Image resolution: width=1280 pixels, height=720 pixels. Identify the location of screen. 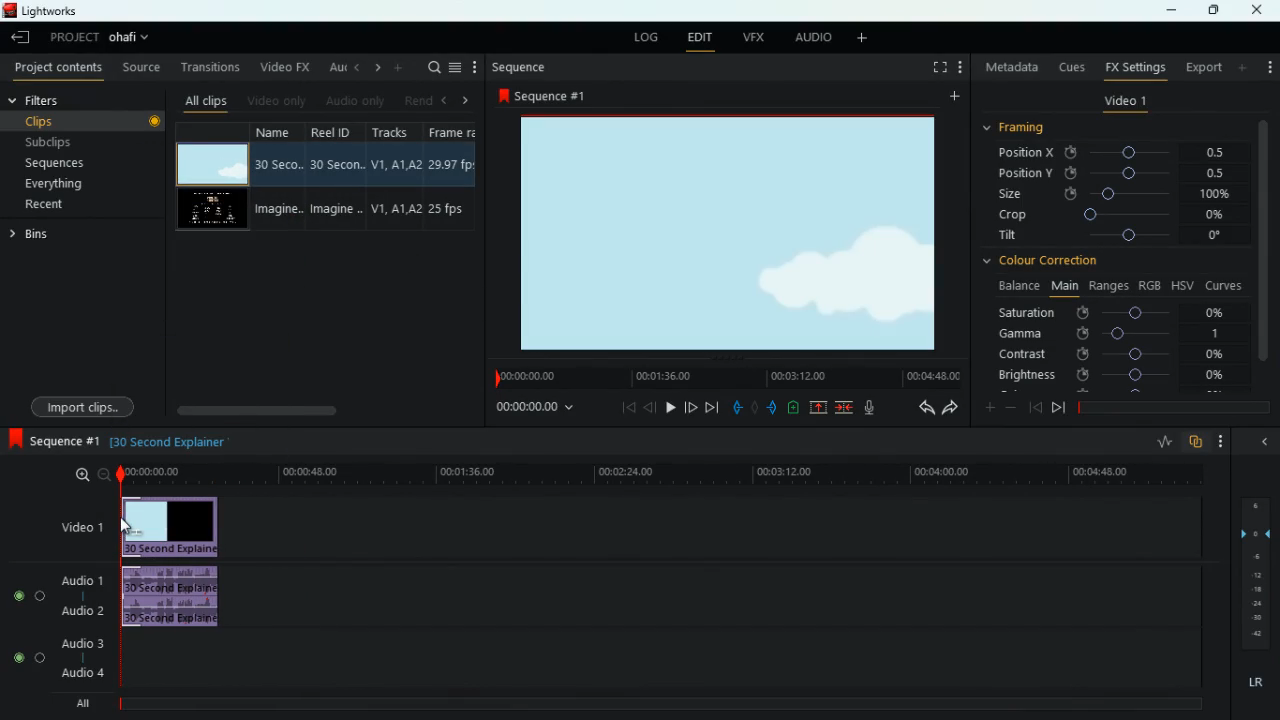
(211, 210).